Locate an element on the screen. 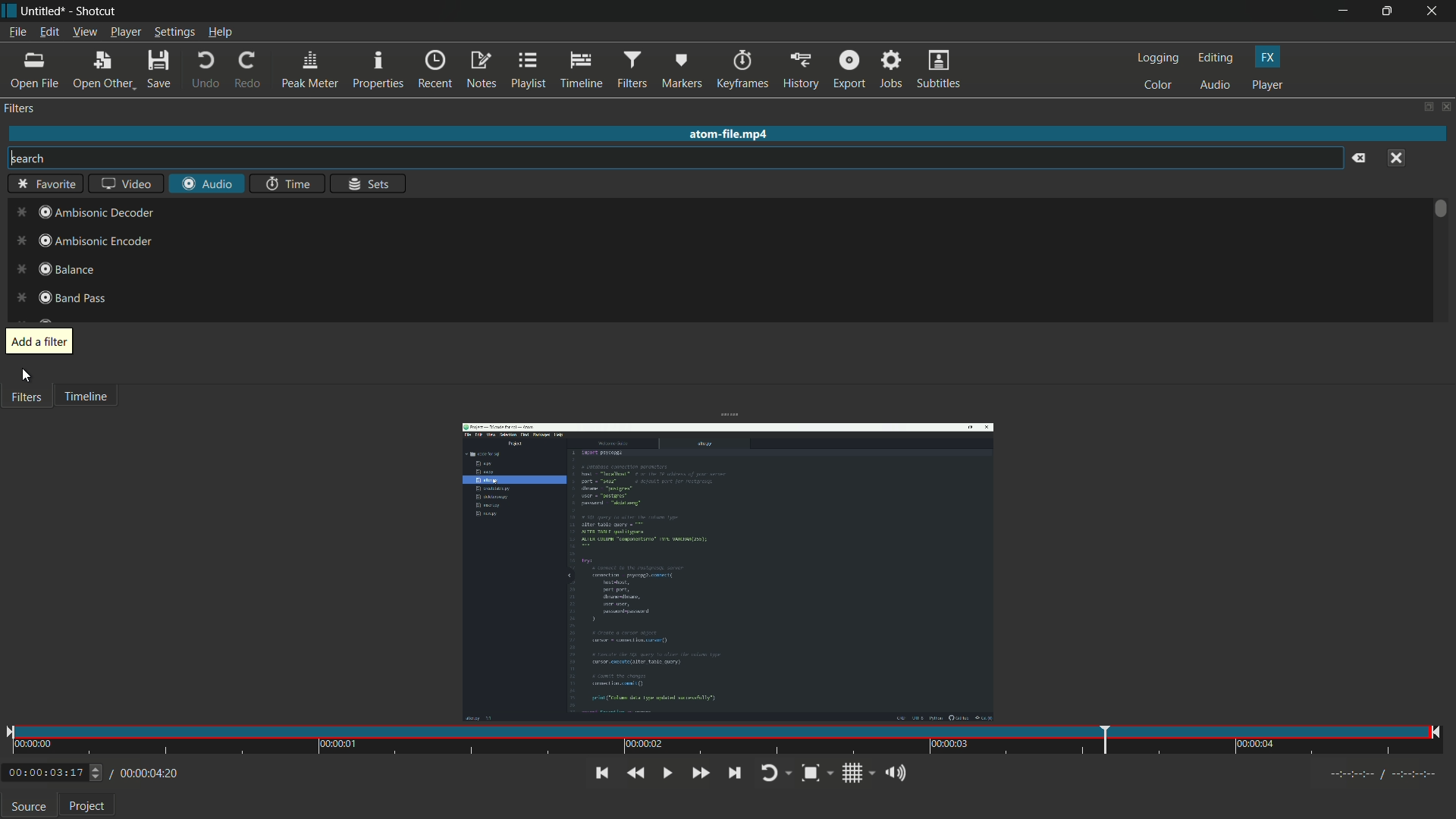  toggle player looping is located at coordinates (777, 773).